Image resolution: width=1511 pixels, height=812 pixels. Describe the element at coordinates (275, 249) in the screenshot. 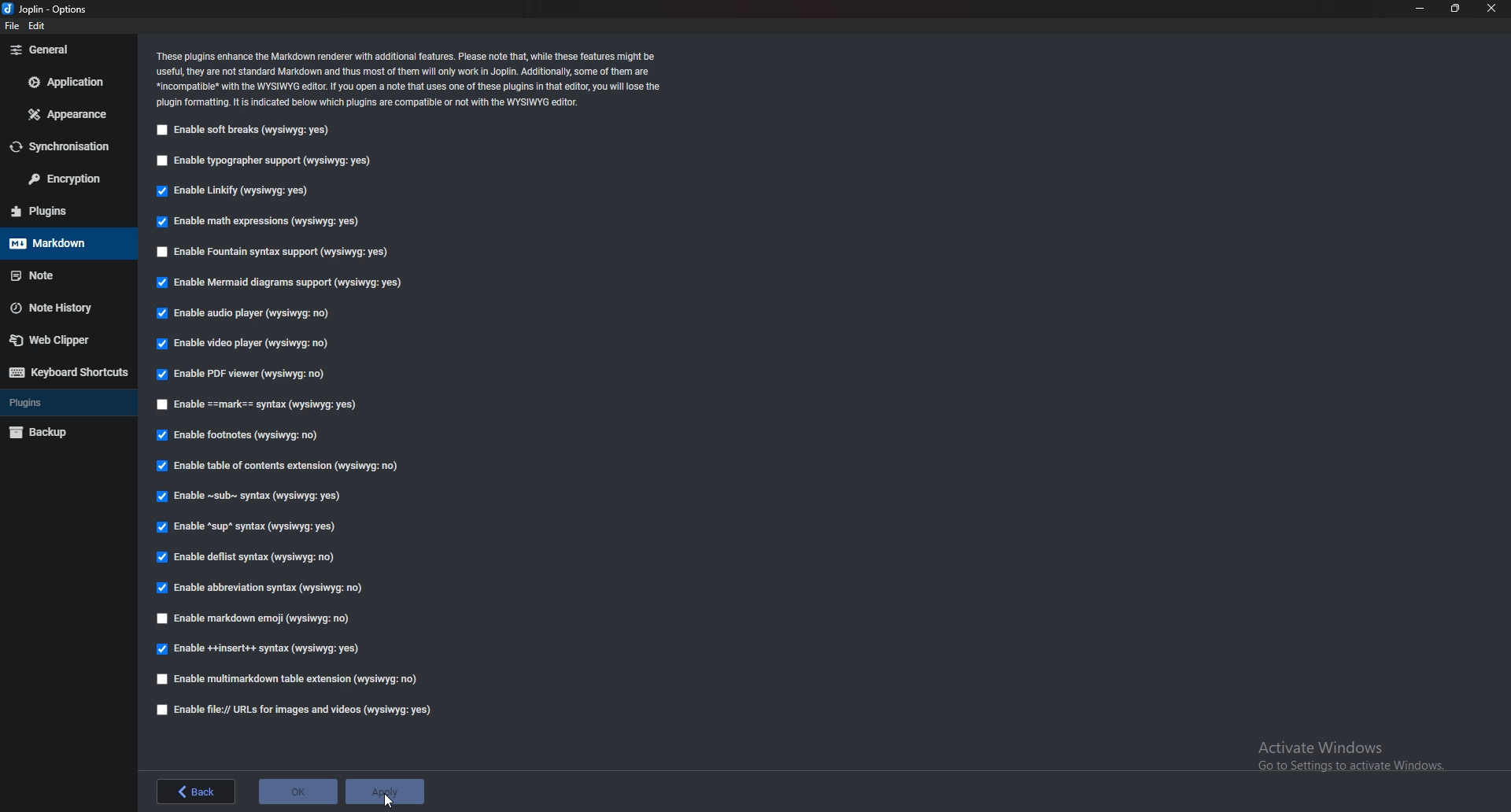

I see `Enable fountain syntax support` at that location.